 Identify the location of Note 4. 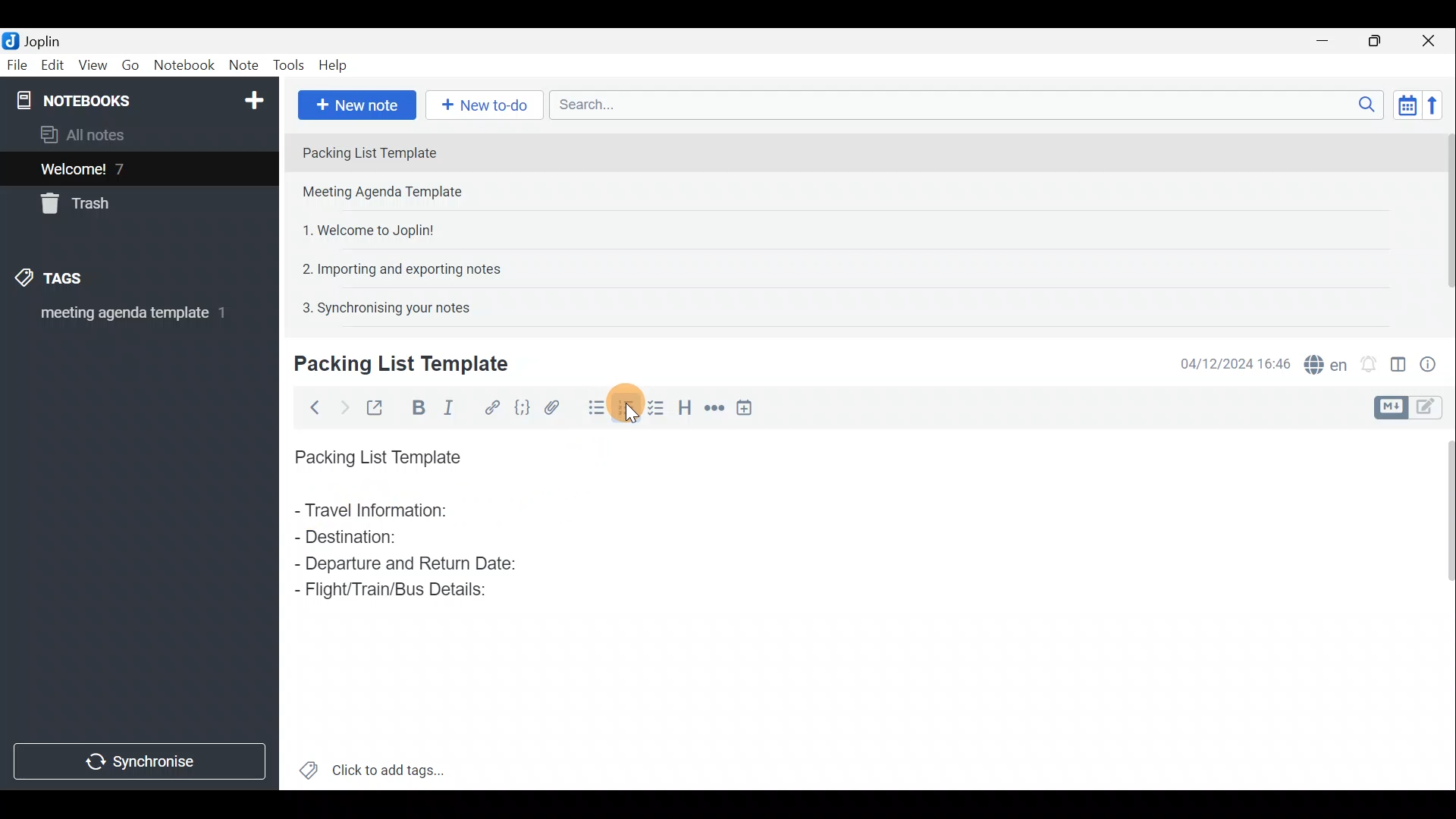
(394, 266).